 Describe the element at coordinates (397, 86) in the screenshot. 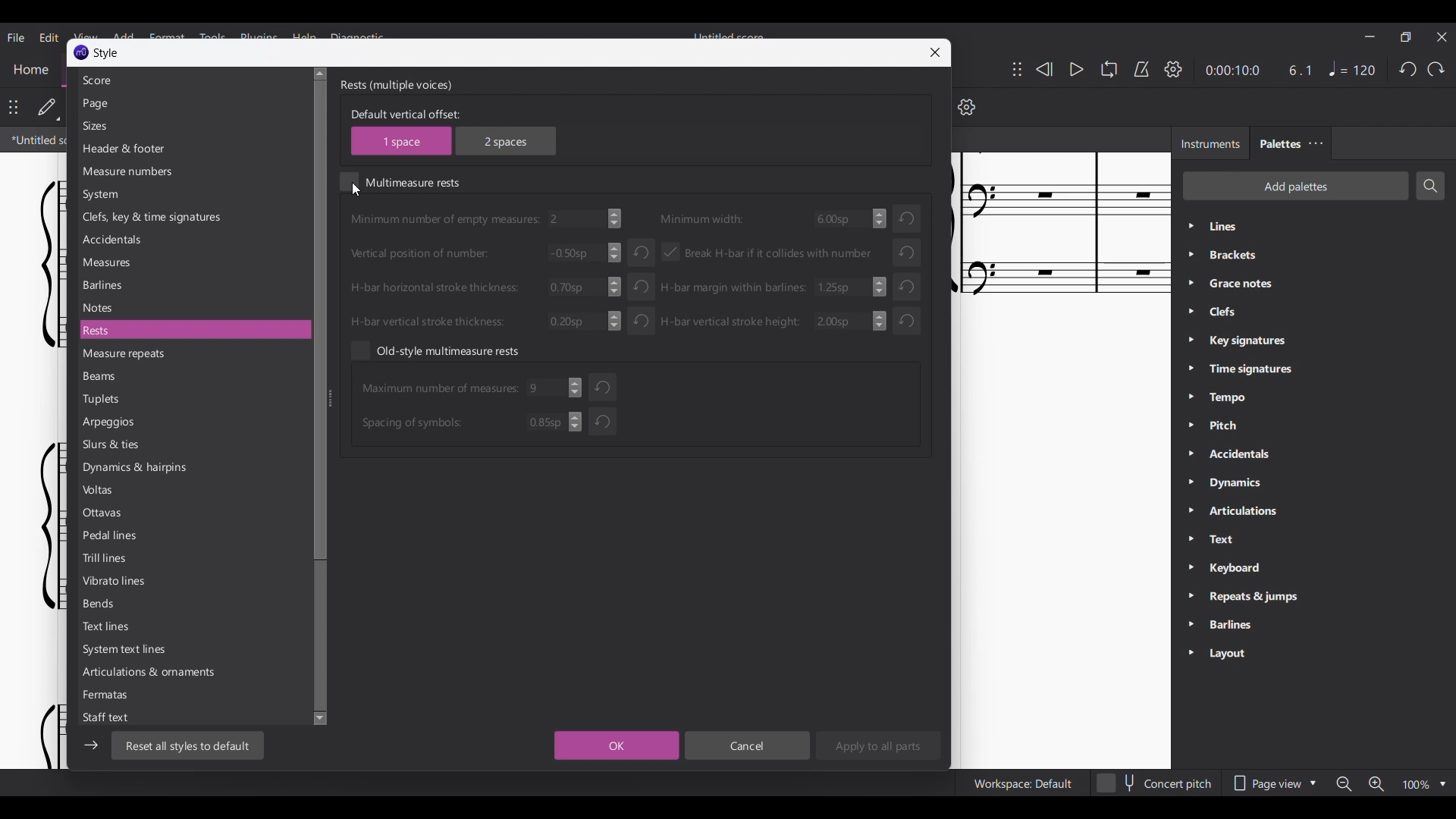

I see `Section title` at that location.